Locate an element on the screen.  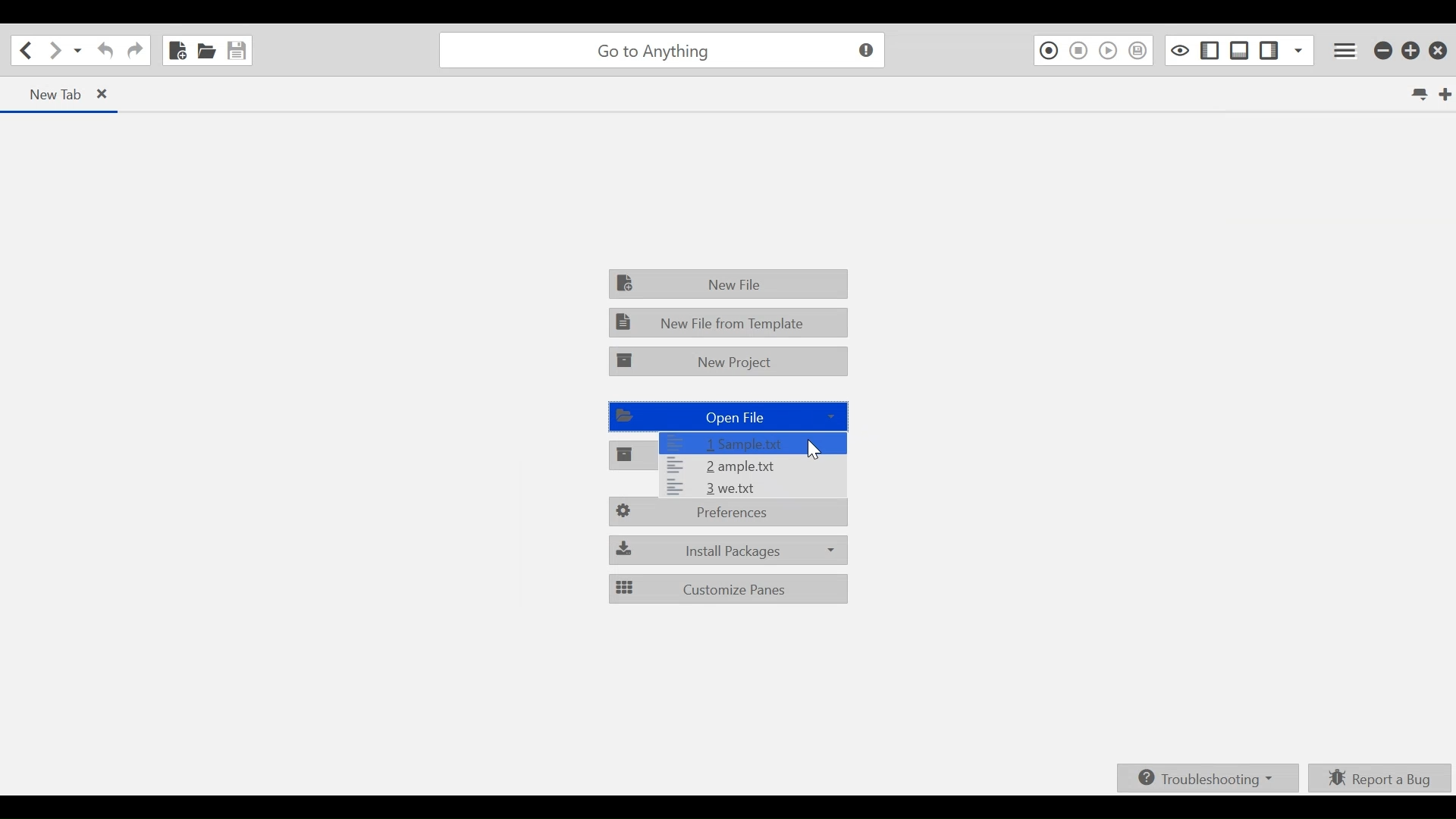
Restore is located at coordinates (1412, 49).